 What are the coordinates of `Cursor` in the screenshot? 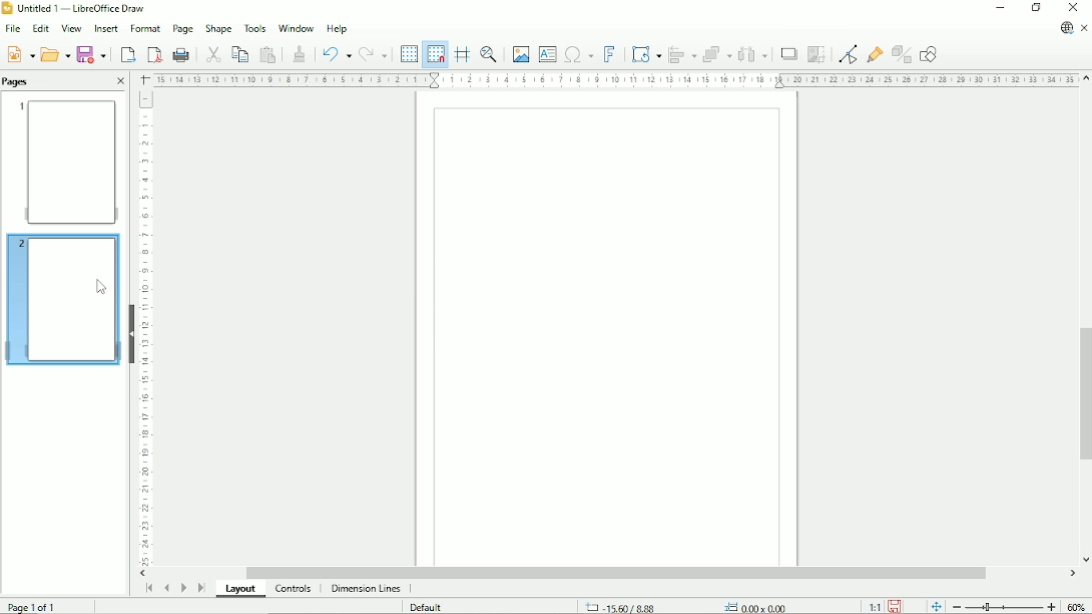 It's located at (102, 288).